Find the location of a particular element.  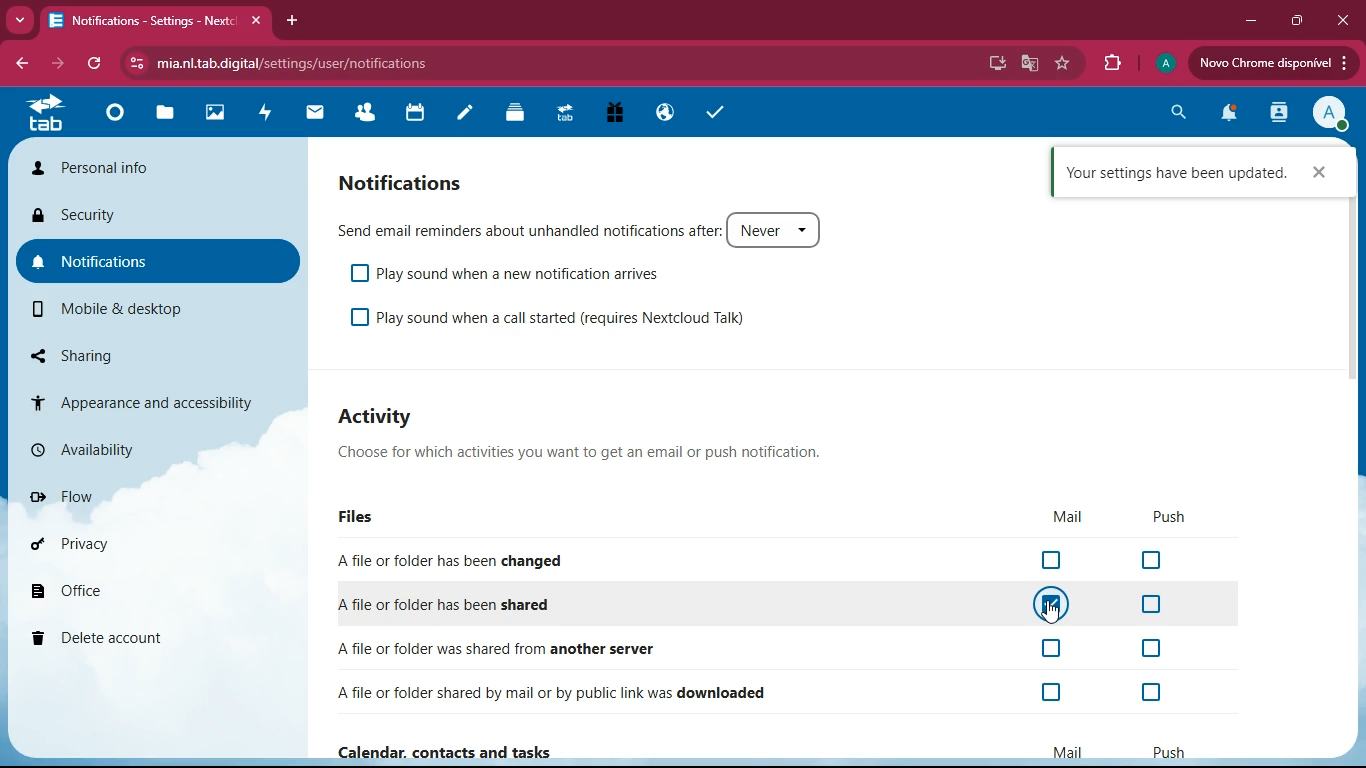

on is located at coordinates (1058, 605).